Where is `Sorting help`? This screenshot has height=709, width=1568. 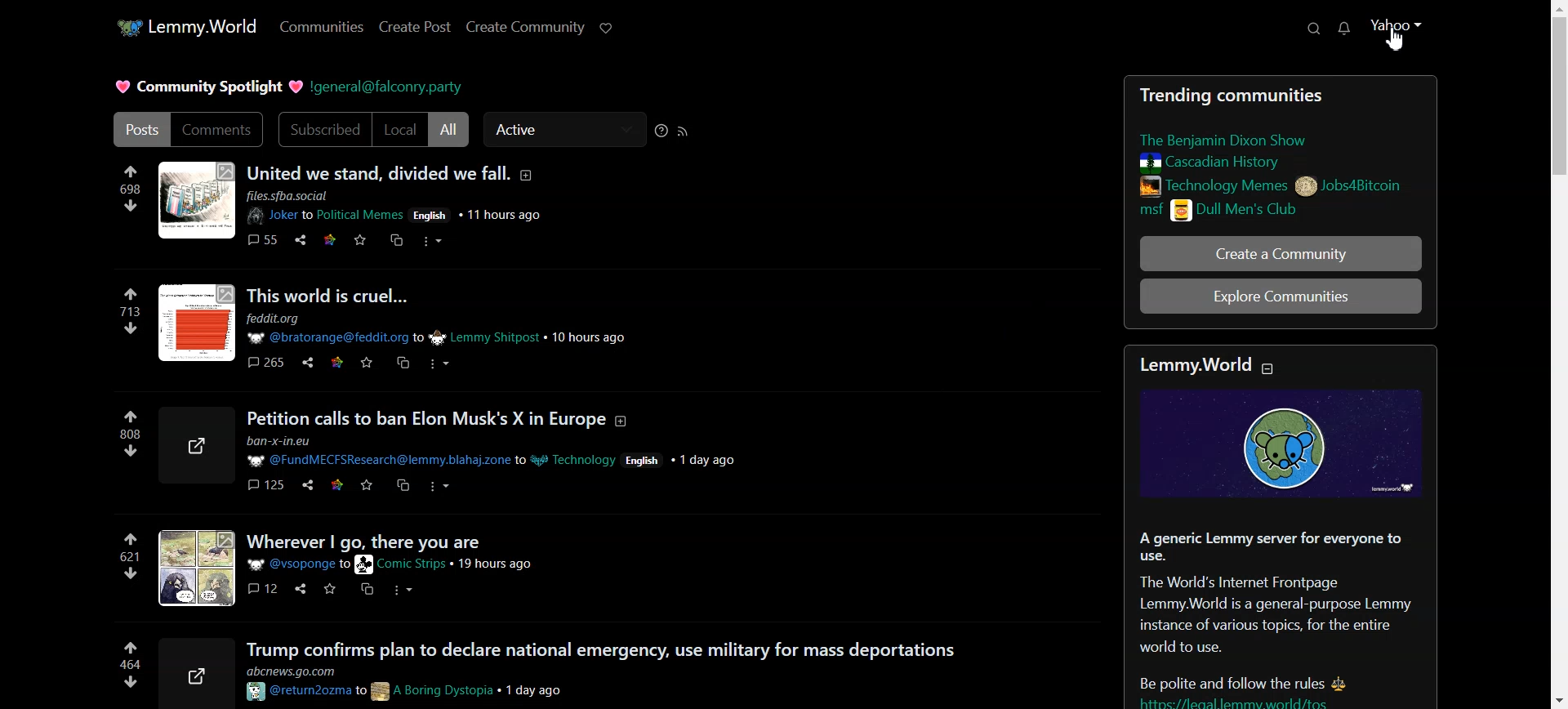
Sorting help is located at coordinates (661, 130).